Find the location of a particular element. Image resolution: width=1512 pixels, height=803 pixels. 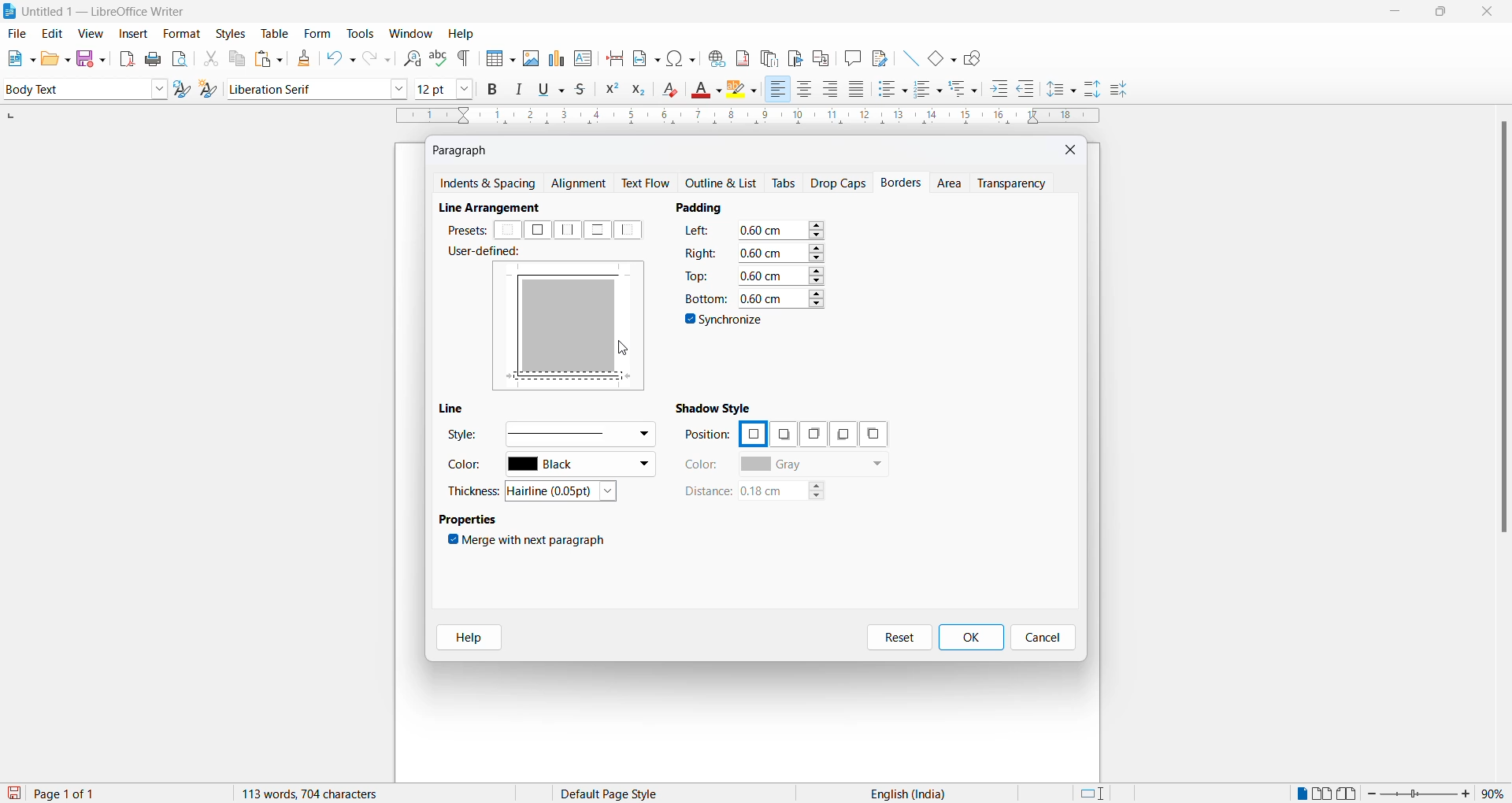

character highlighting is located at coordinates (746, 91).